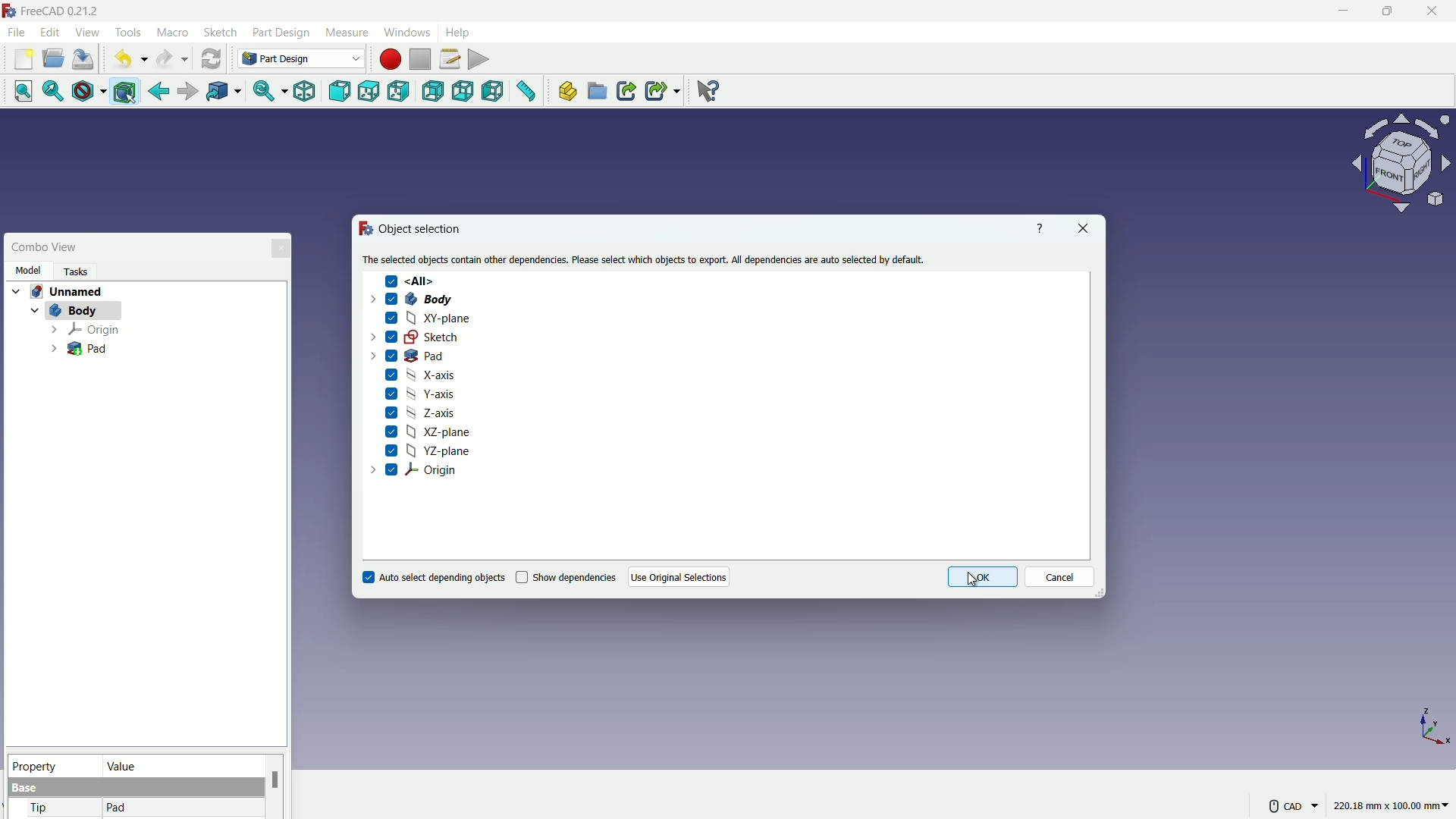  What do you see at coordinates (341, 92) in the screenshot?
I see `front view` at bounding box center [341, 92].